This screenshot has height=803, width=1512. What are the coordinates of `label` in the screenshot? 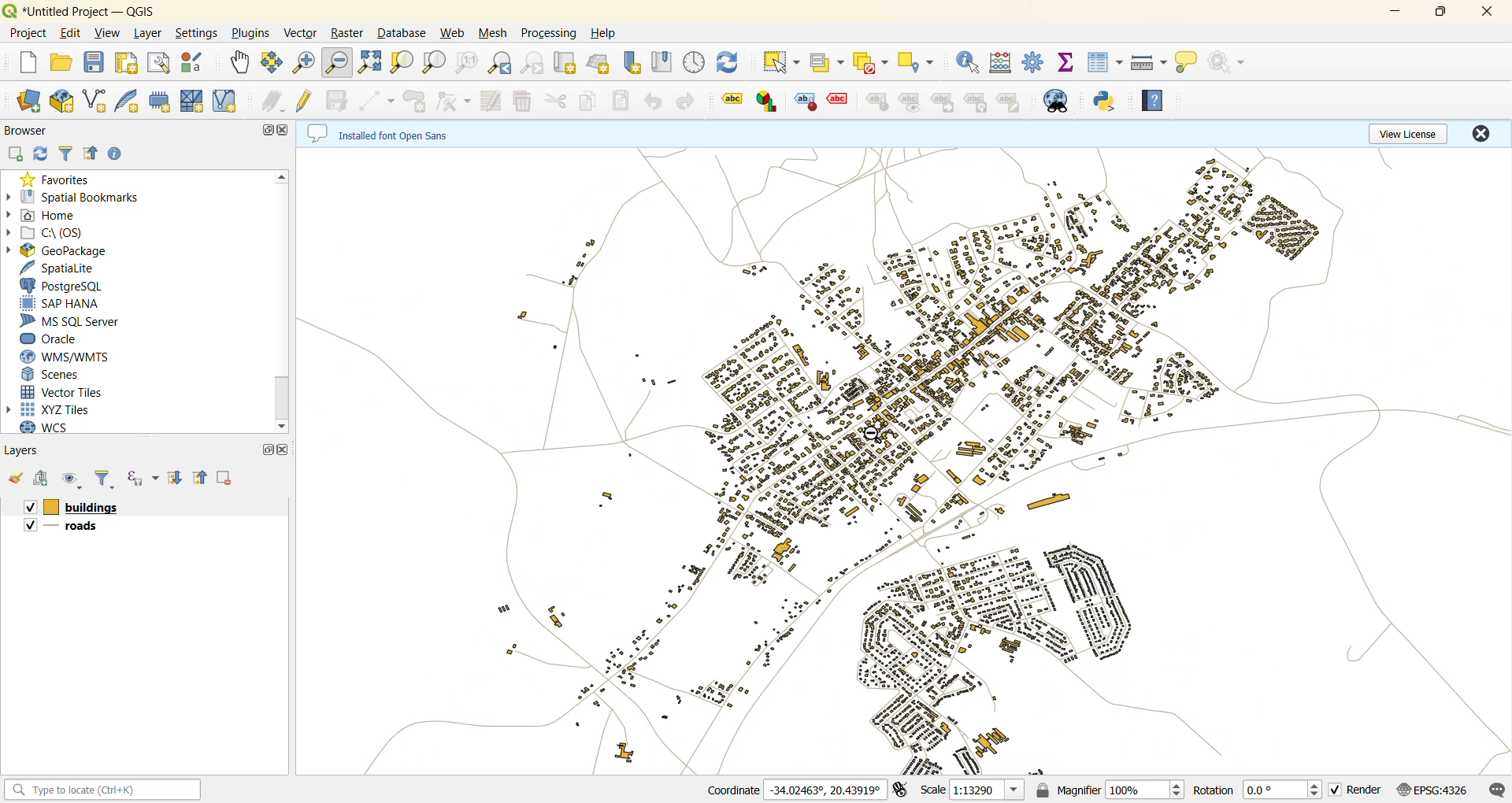 It's located at (976, 103).